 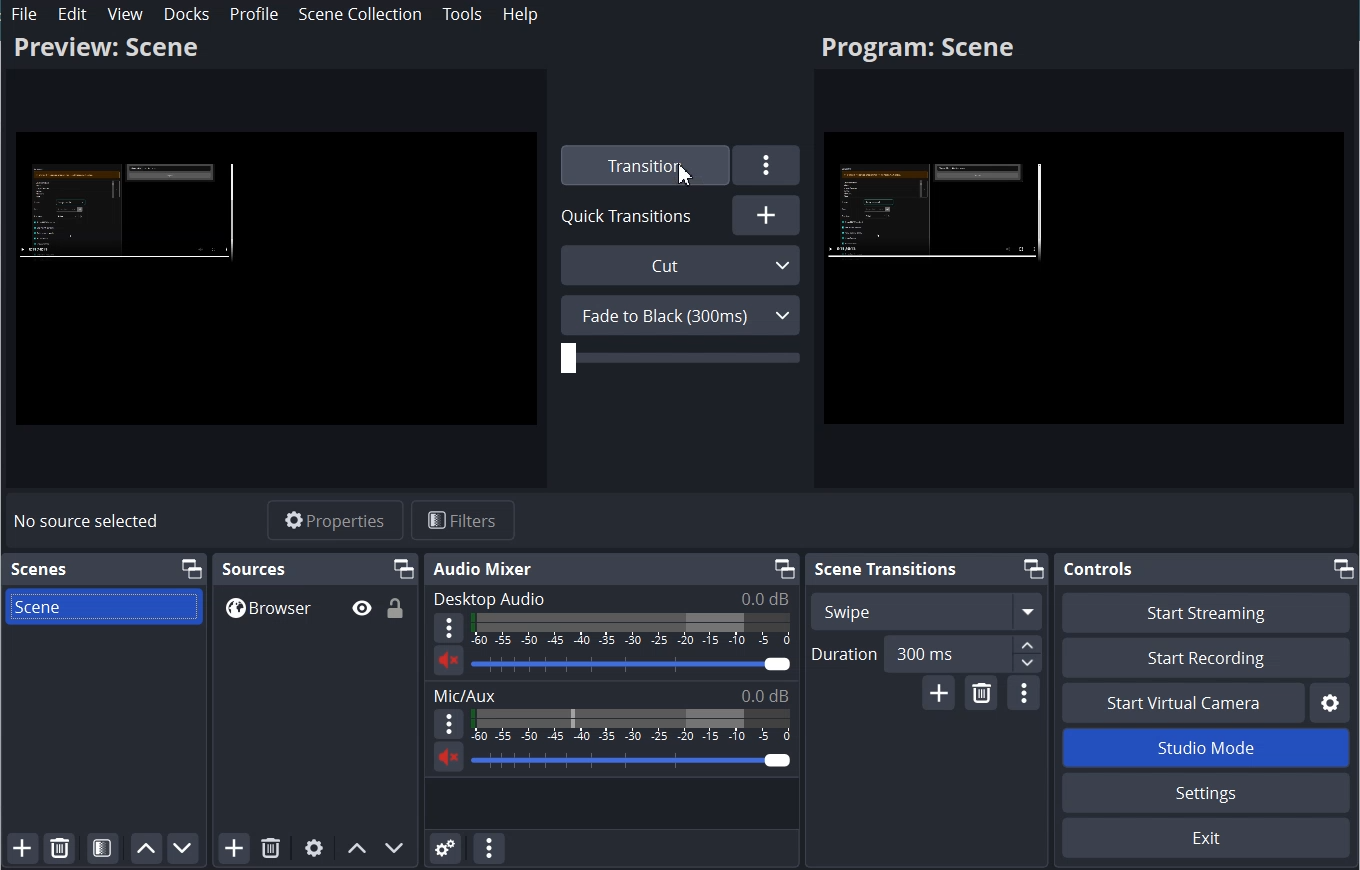 I want to click on Advance Audio Properties, so click(x=445, y=848).